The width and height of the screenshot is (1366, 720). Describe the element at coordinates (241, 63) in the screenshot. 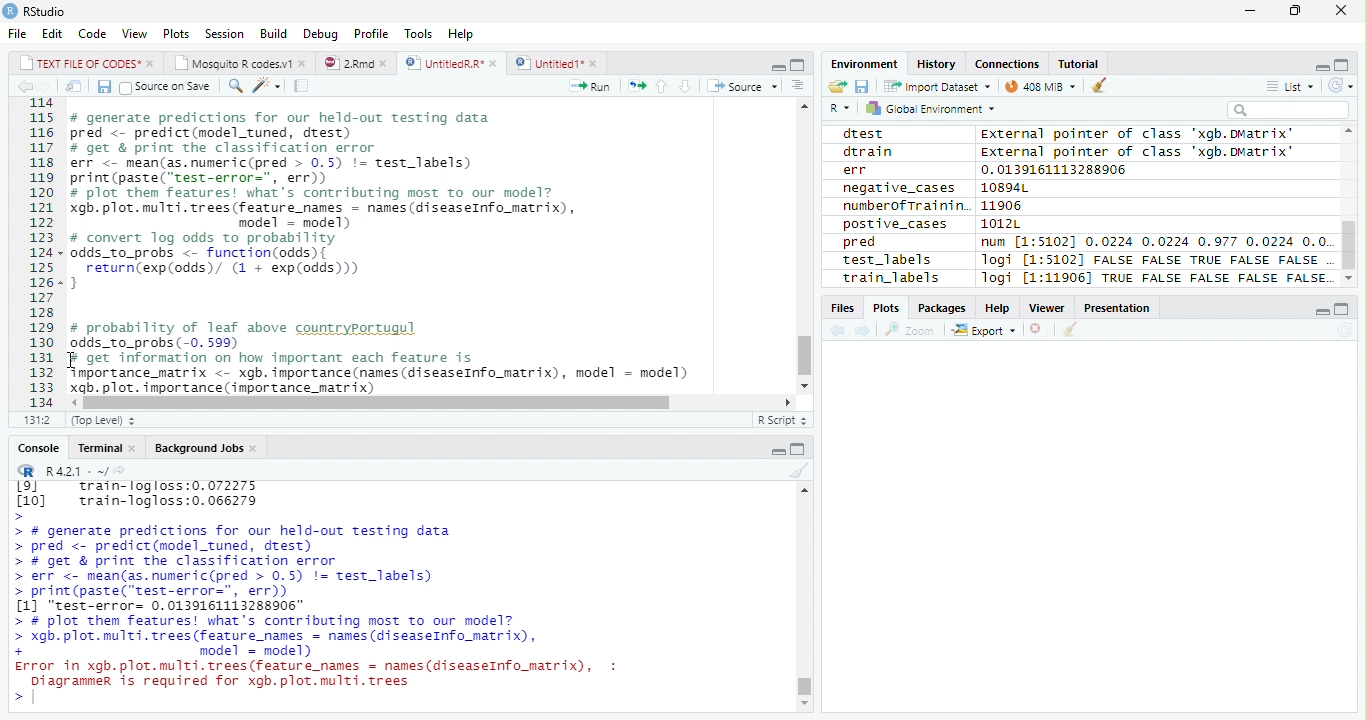

I see `Mosquito R codes1` at that location.